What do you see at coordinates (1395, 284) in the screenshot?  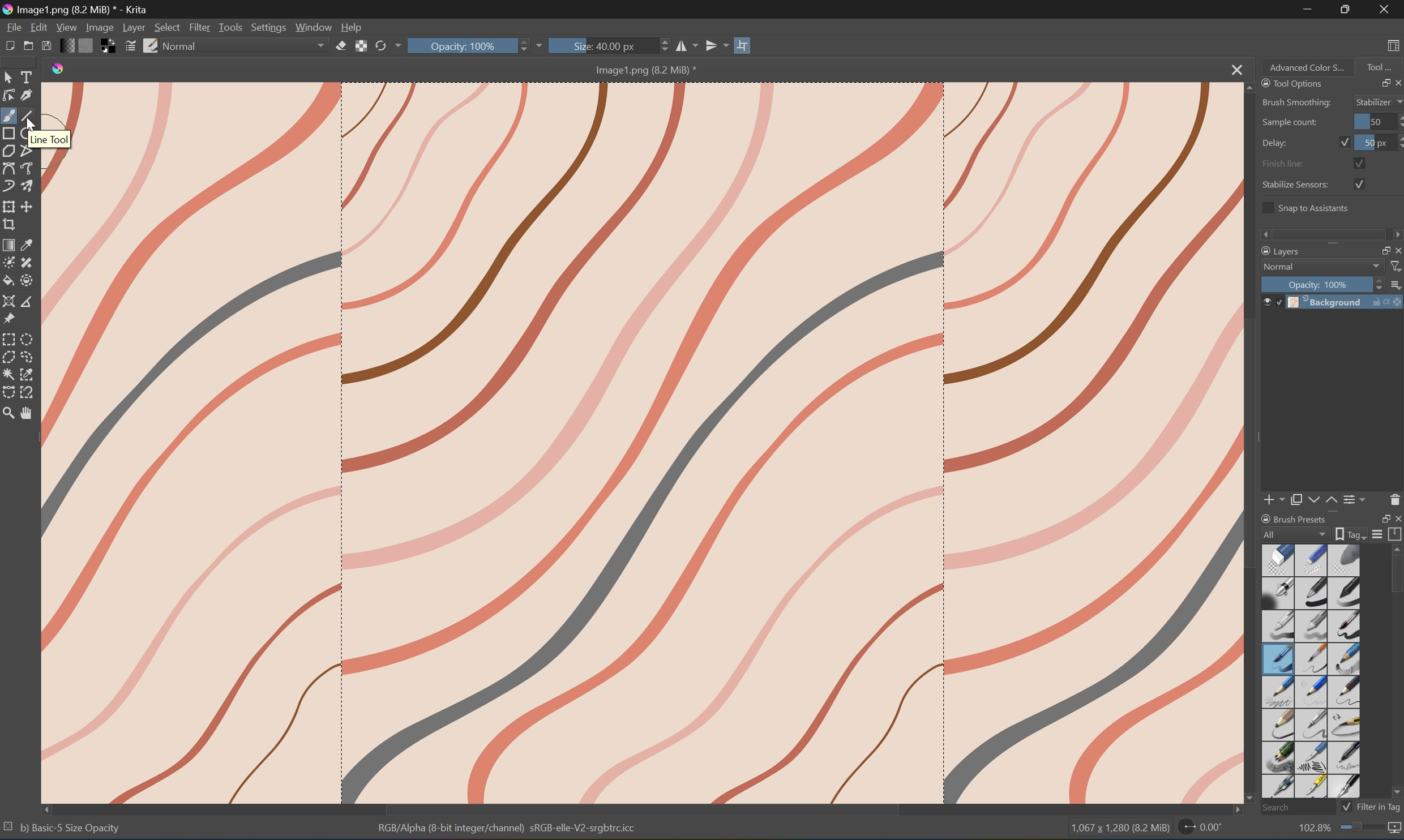 I see `Thumbnail` at bounding box center [1395, 284].